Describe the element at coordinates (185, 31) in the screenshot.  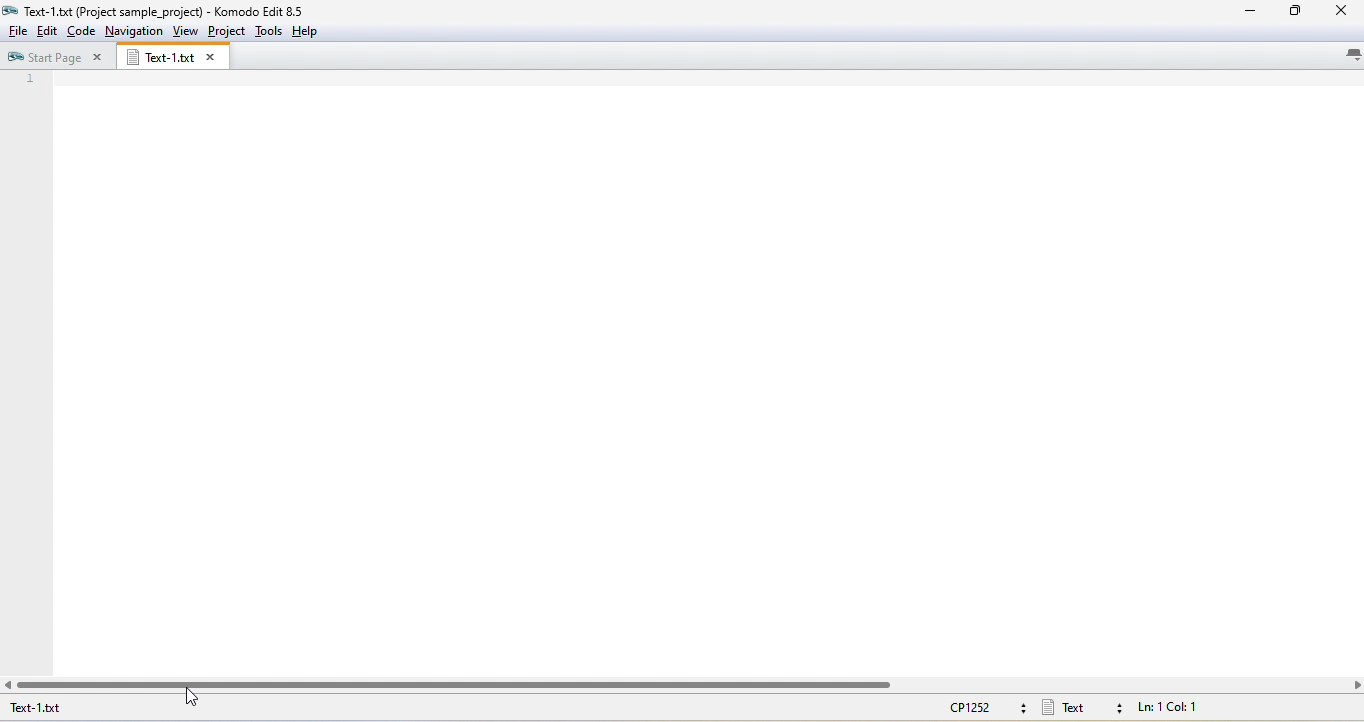
I see `view` at that location.